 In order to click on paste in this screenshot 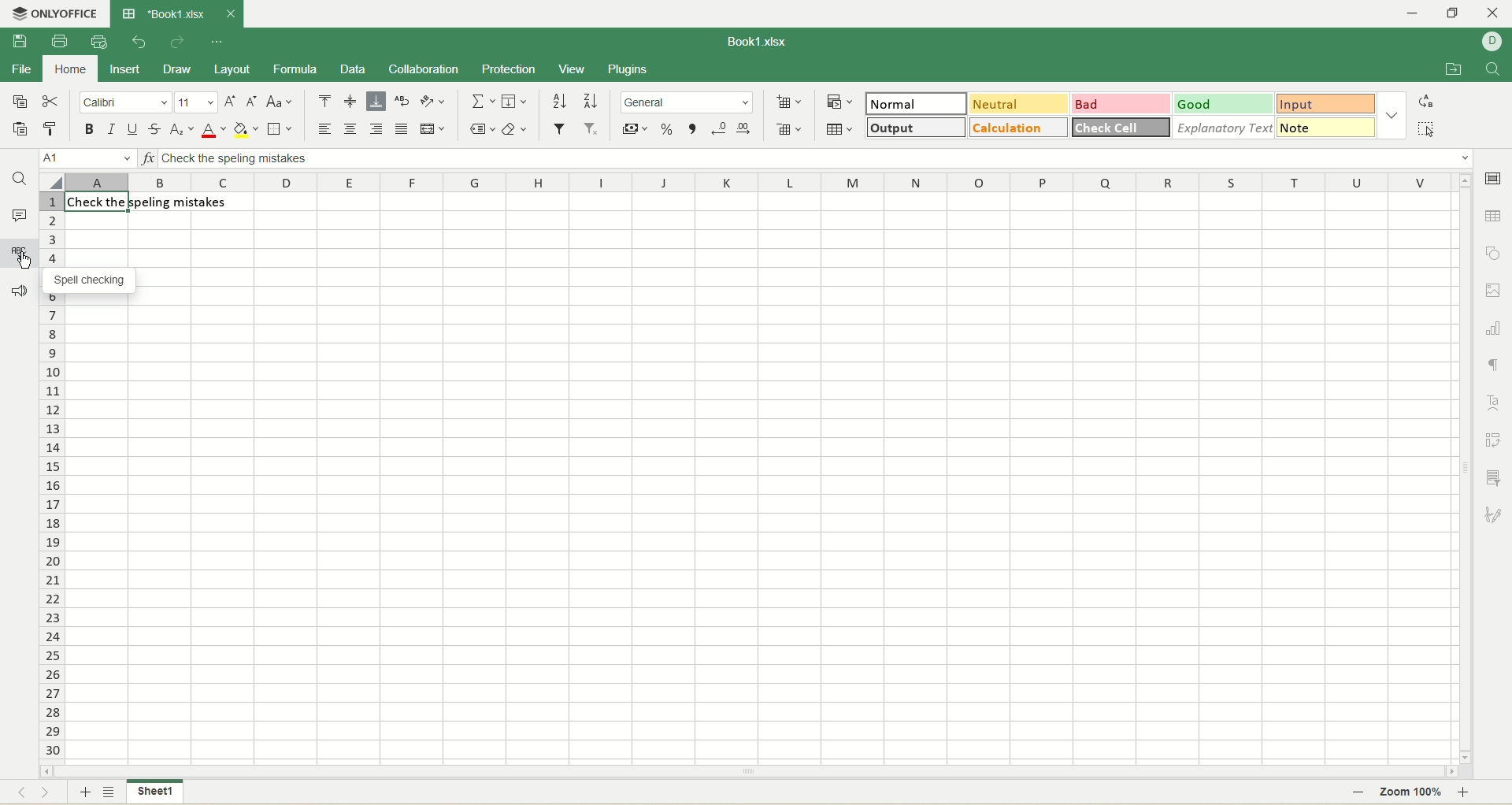, I will do `click(20, 128)`.